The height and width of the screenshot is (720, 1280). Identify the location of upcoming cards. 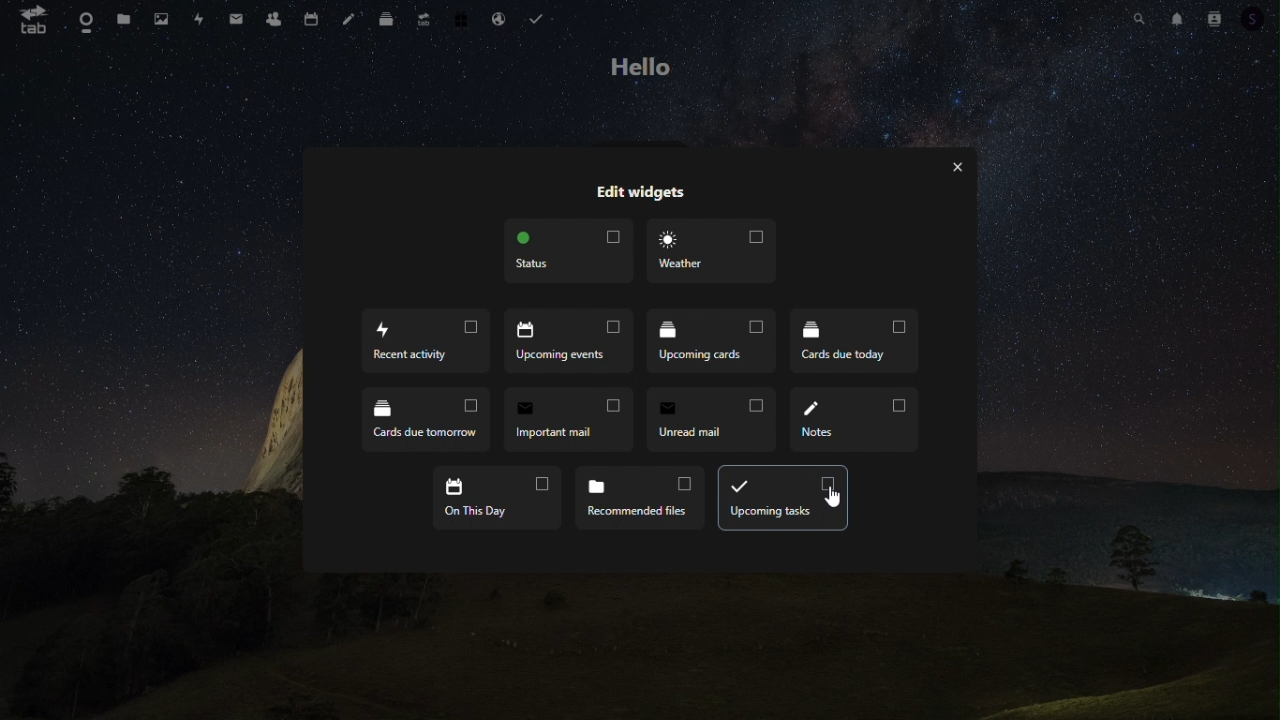
(714, 344).